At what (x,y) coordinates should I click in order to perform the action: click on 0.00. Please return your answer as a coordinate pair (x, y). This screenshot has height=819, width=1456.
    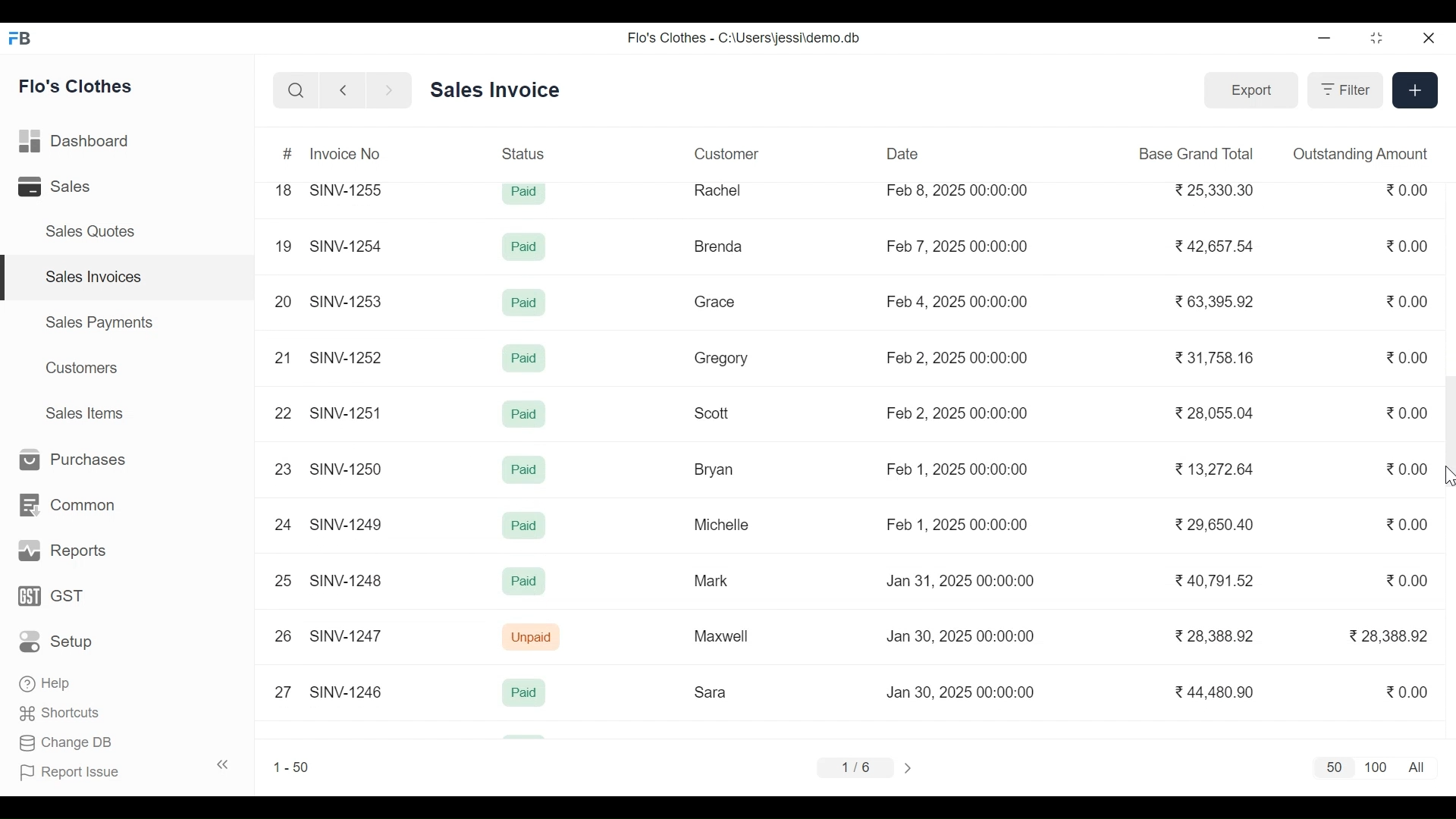
    Looking at the image, I should click on (1408, 357).